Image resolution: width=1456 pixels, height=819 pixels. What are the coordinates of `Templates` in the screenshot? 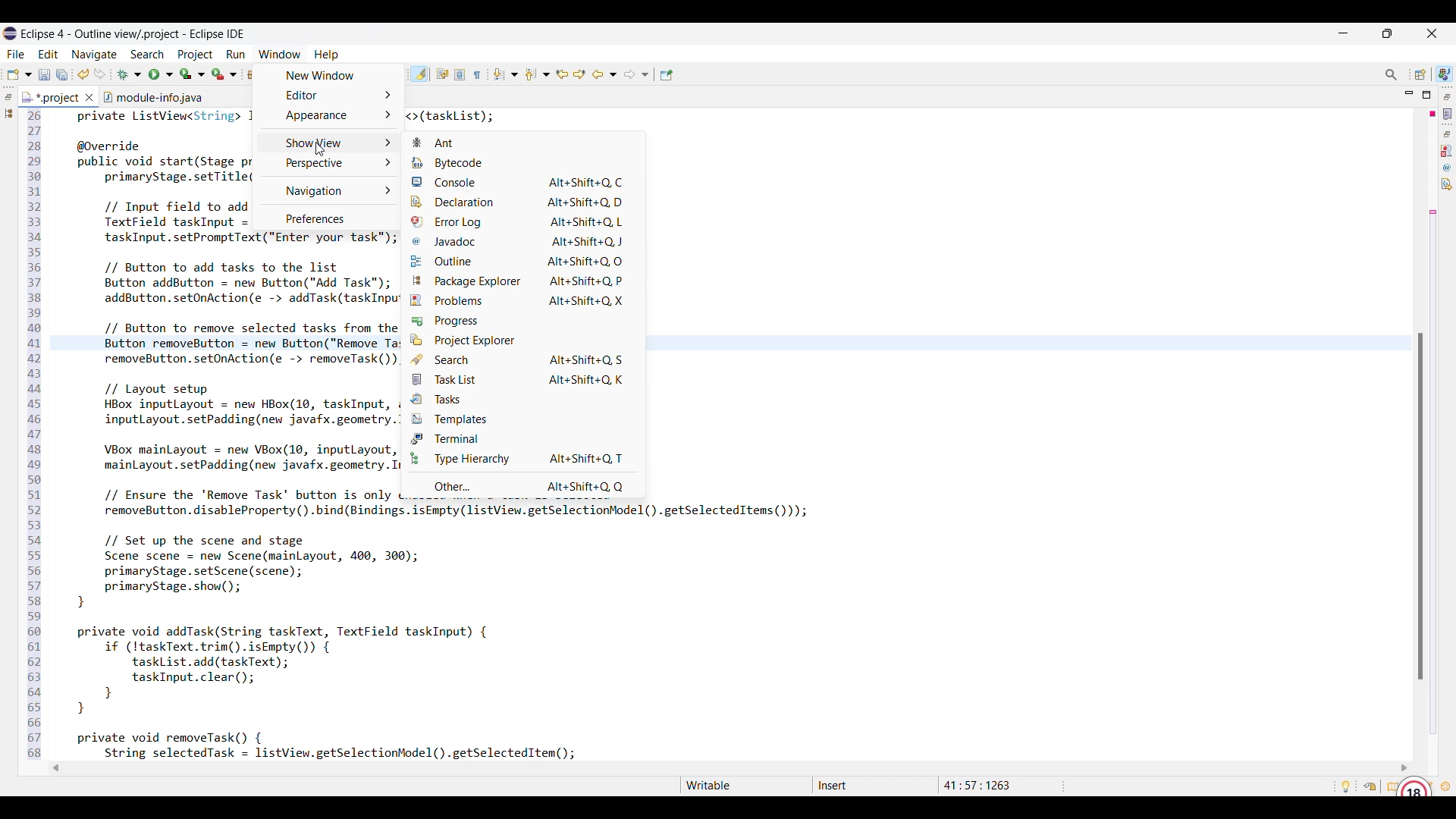 It's located at (522, 419).